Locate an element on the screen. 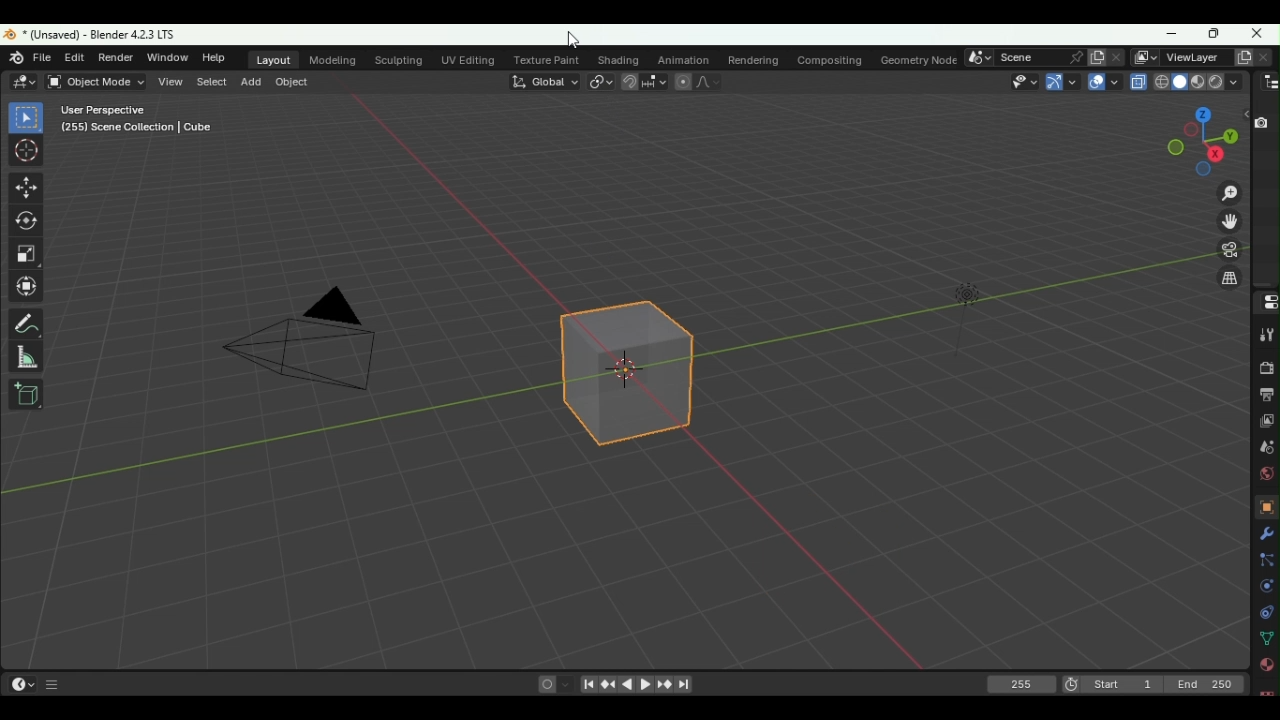  Viewport shading: Material preview is located at coordinates (1198, 82).